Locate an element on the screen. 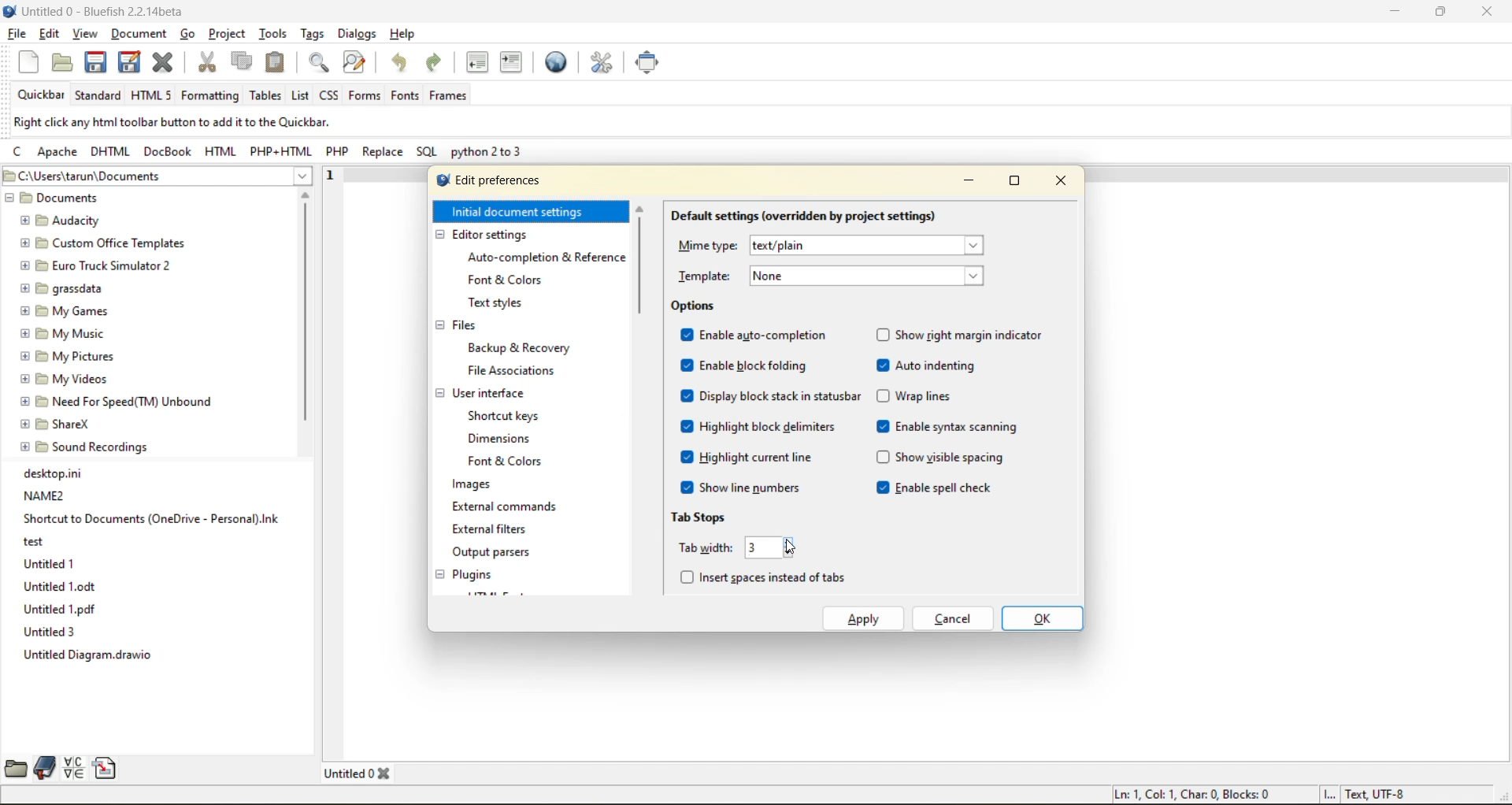 This screenshot has height=805, width=1512. default settings is located at coordinates (803, 216).